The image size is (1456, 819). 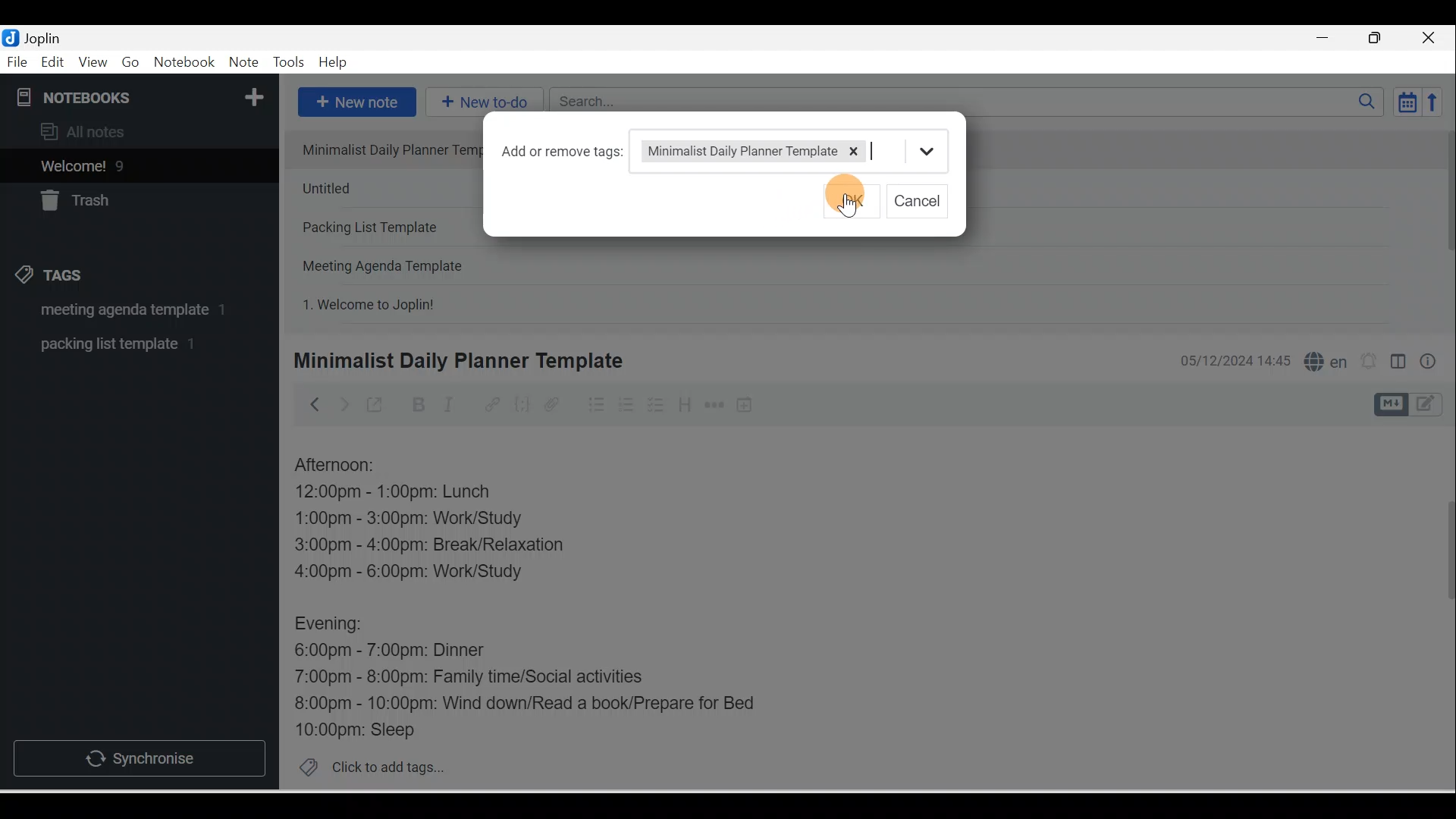 What do you see at coordinates (744, 406) in the screenshot?
I see `Insert time` at bounding box center [744, 406].